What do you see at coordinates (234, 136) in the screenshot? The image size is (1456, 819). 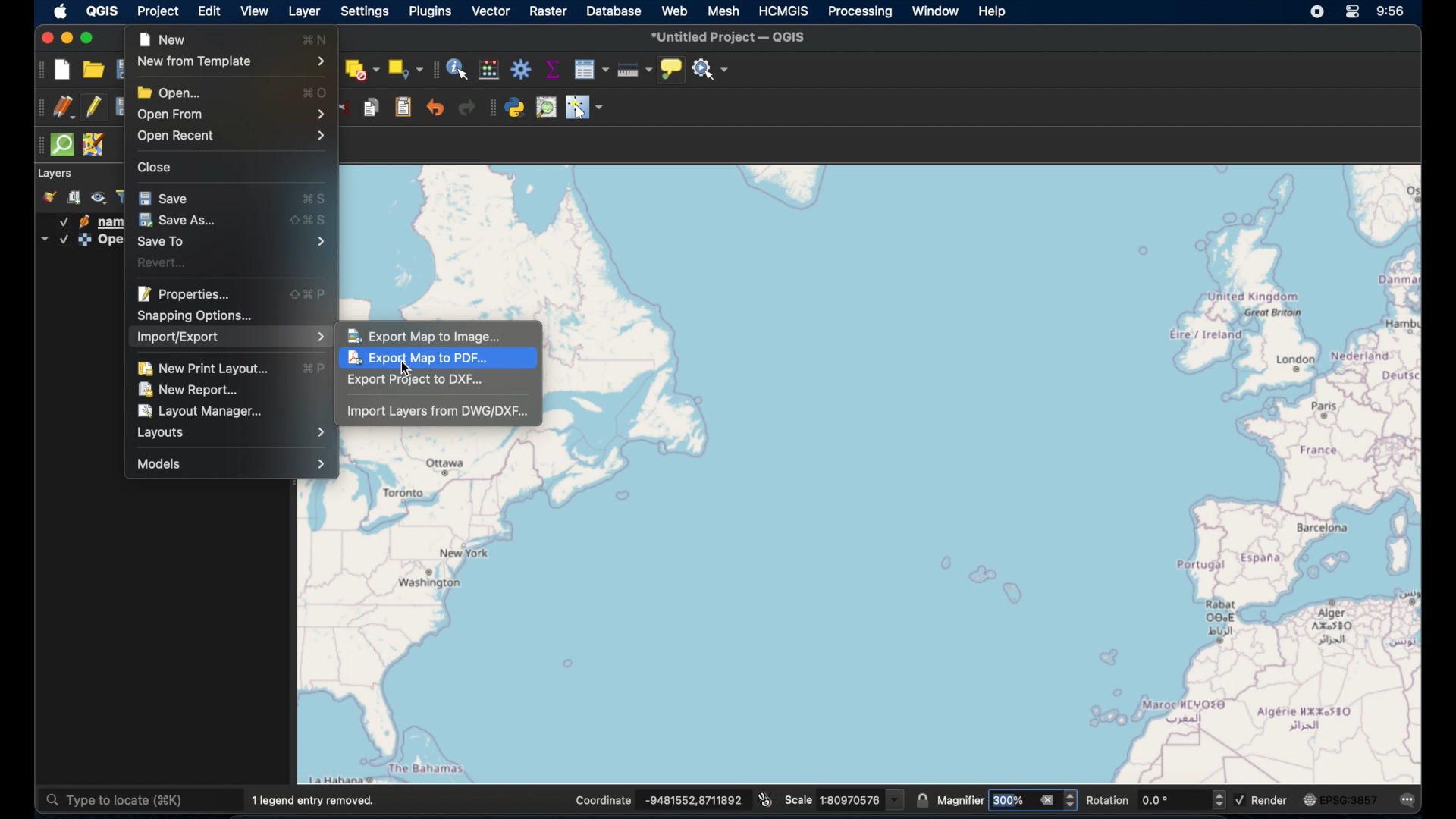 I see `open recent menu` at bounding box center [234, 136].